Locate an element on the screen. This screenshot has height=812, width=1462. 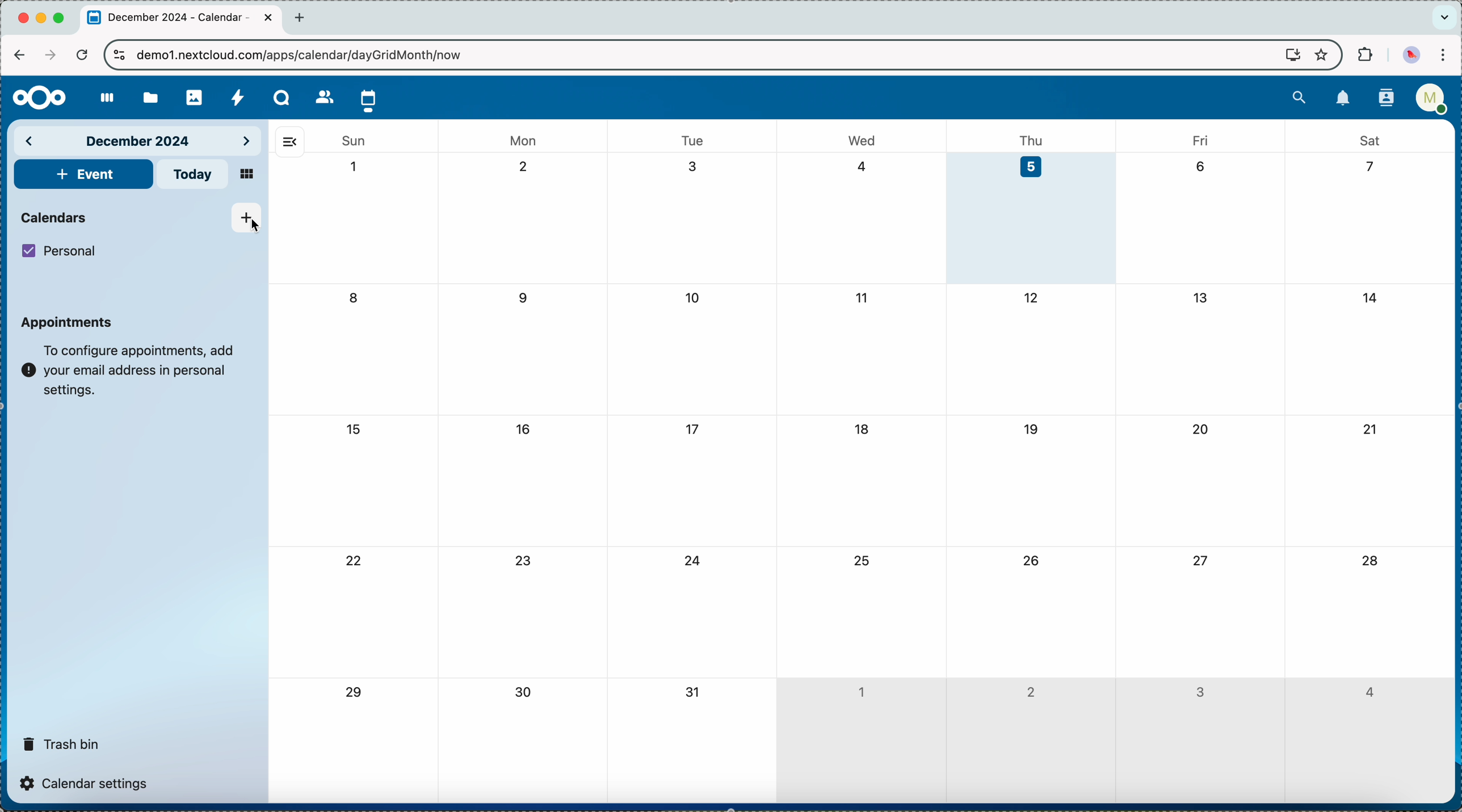
close Chrome is located at coordinates (23, 19).